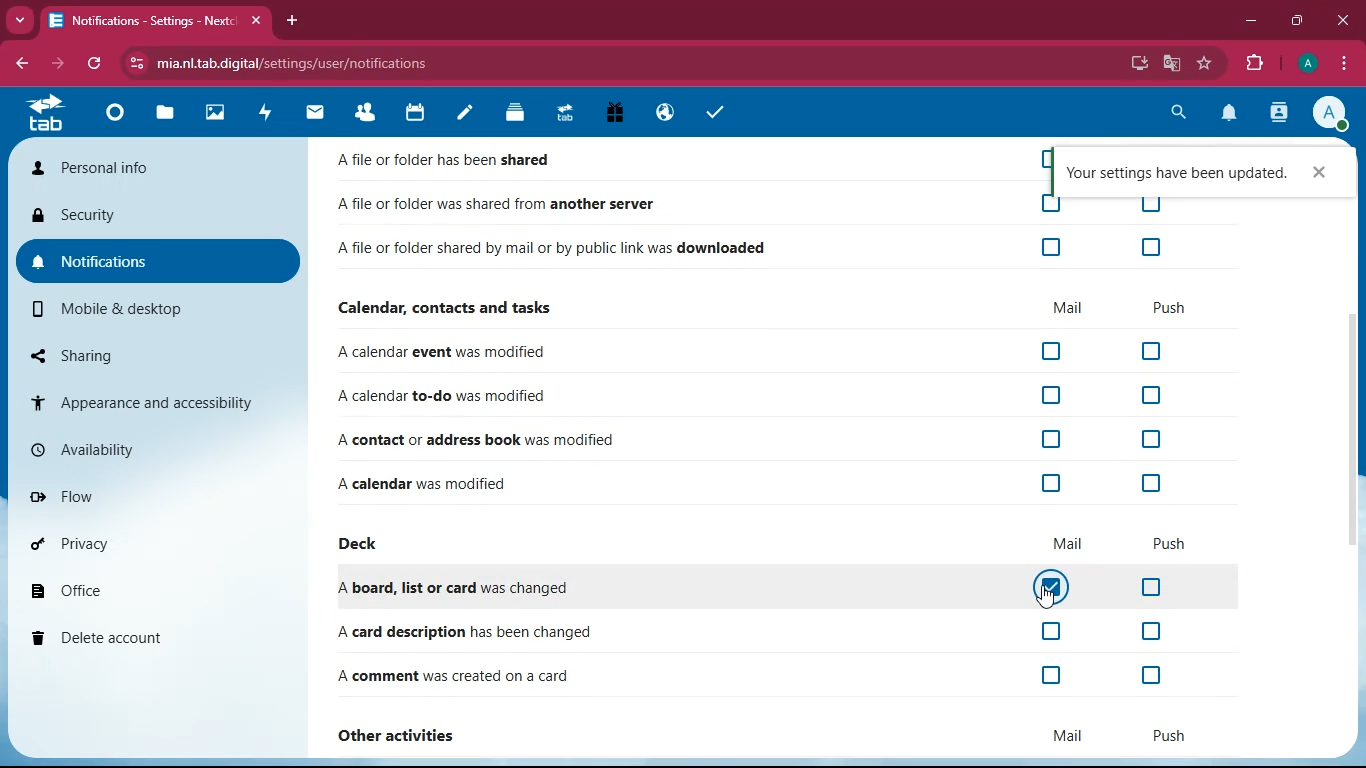 The width and height of the screenshot is (1366, 768). What do you see at coordinates (614, 114) in the screenshot?
I see `Free Trail PC` at bounding box center [614, 114].